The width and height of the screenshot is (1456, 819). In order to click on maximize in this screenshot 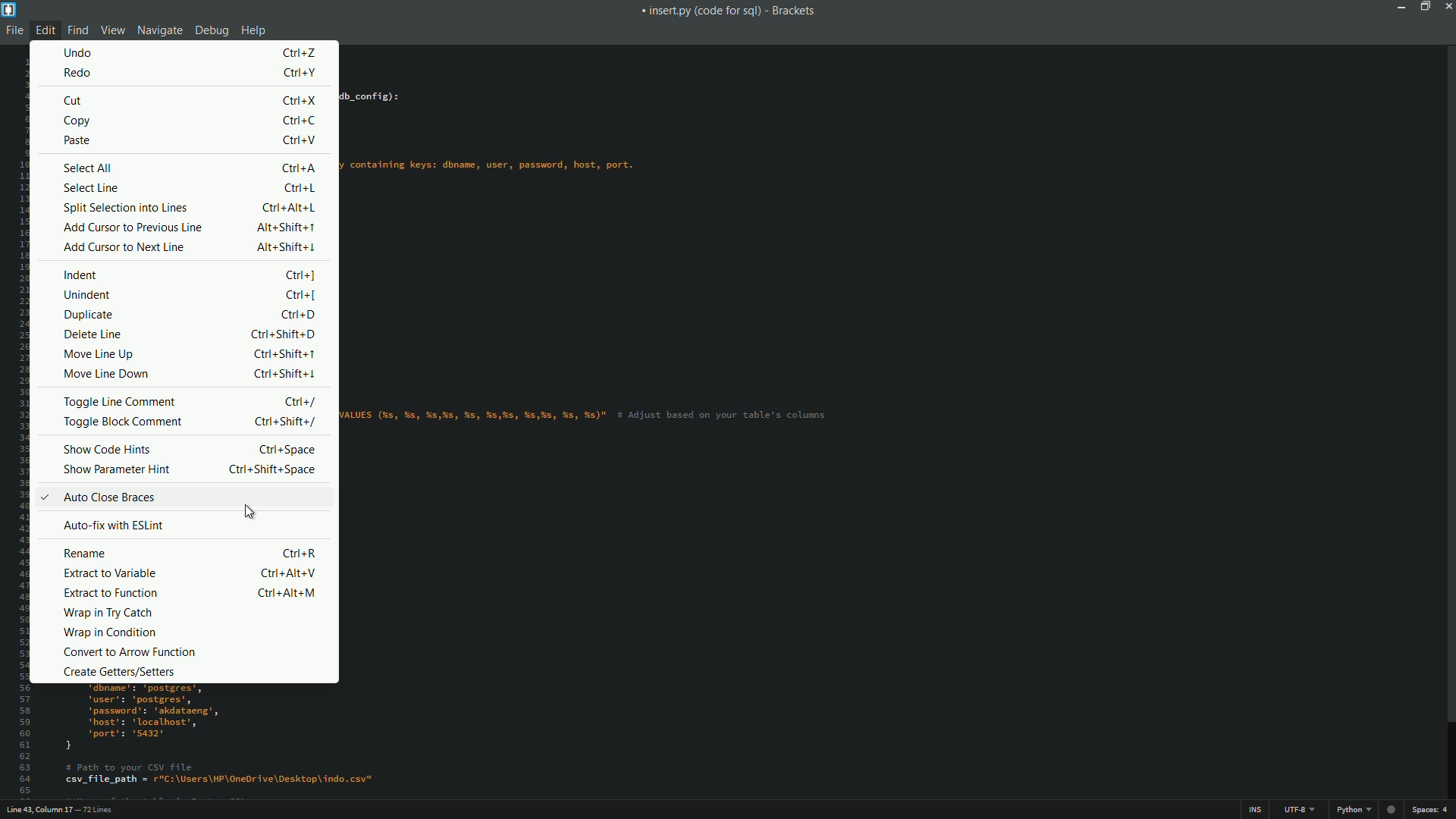, I will do `click(1422, 6)`.